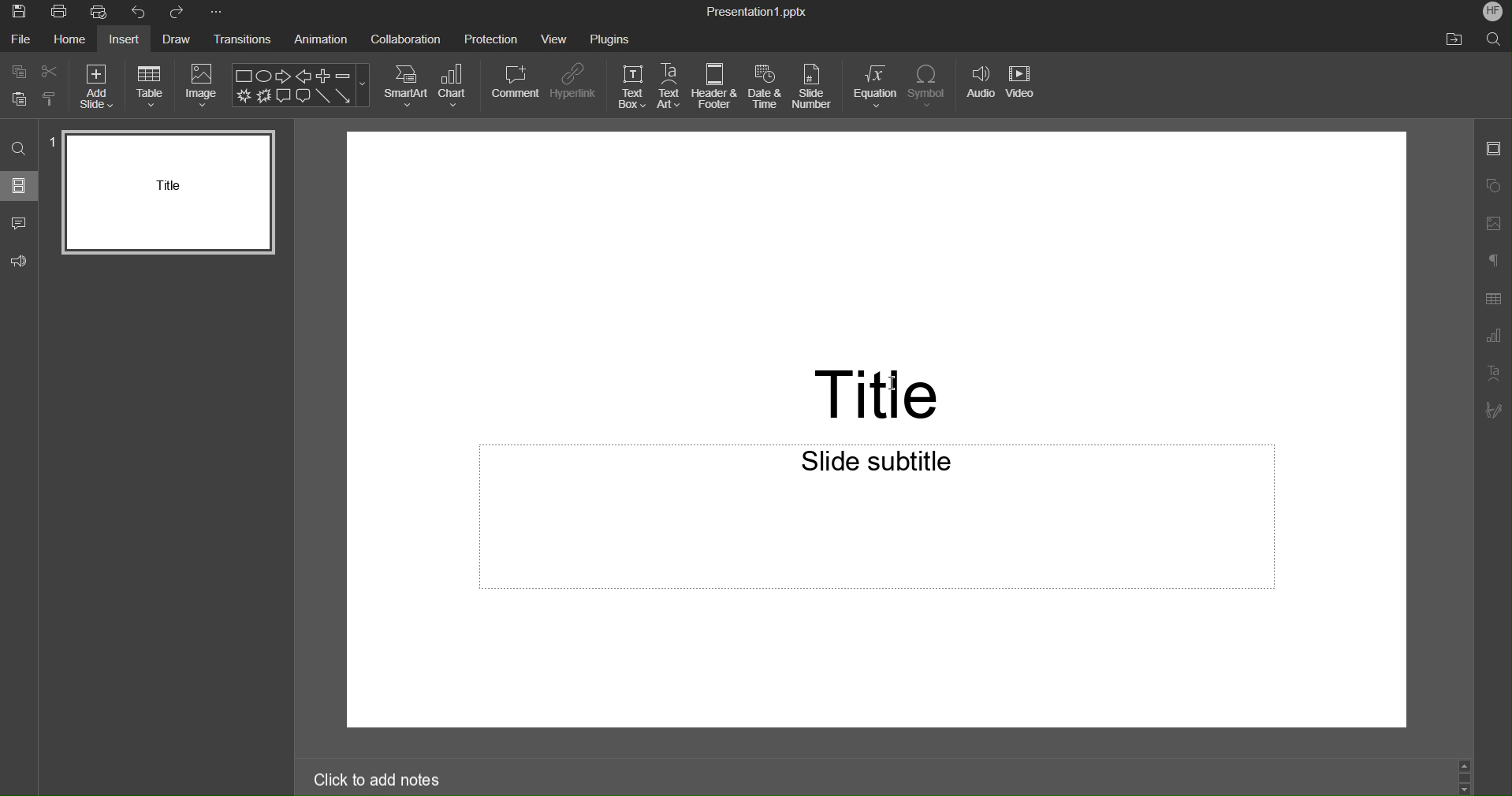  I want to click on More, so click(220, 13).